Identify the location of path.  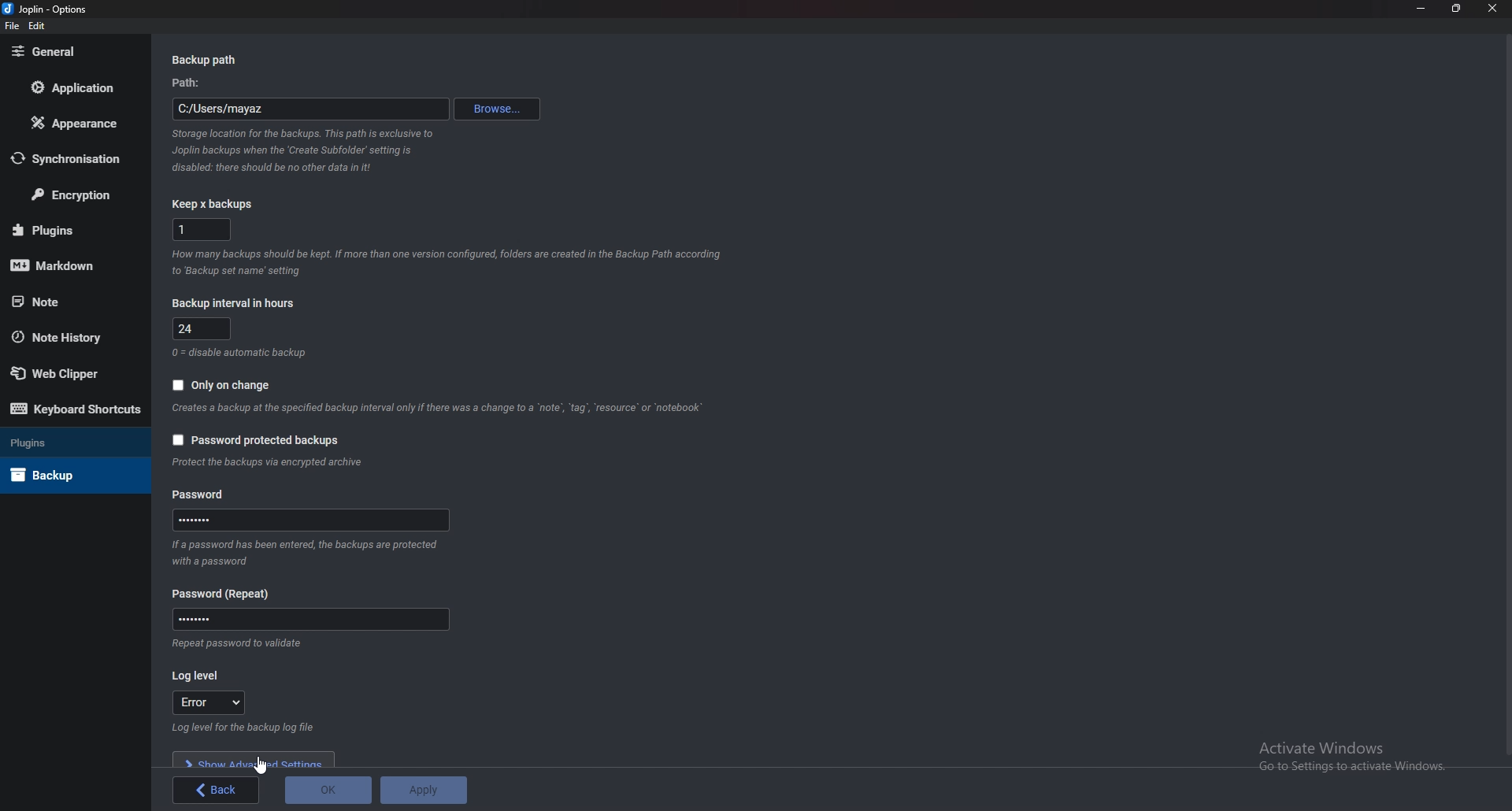
(310, 109).